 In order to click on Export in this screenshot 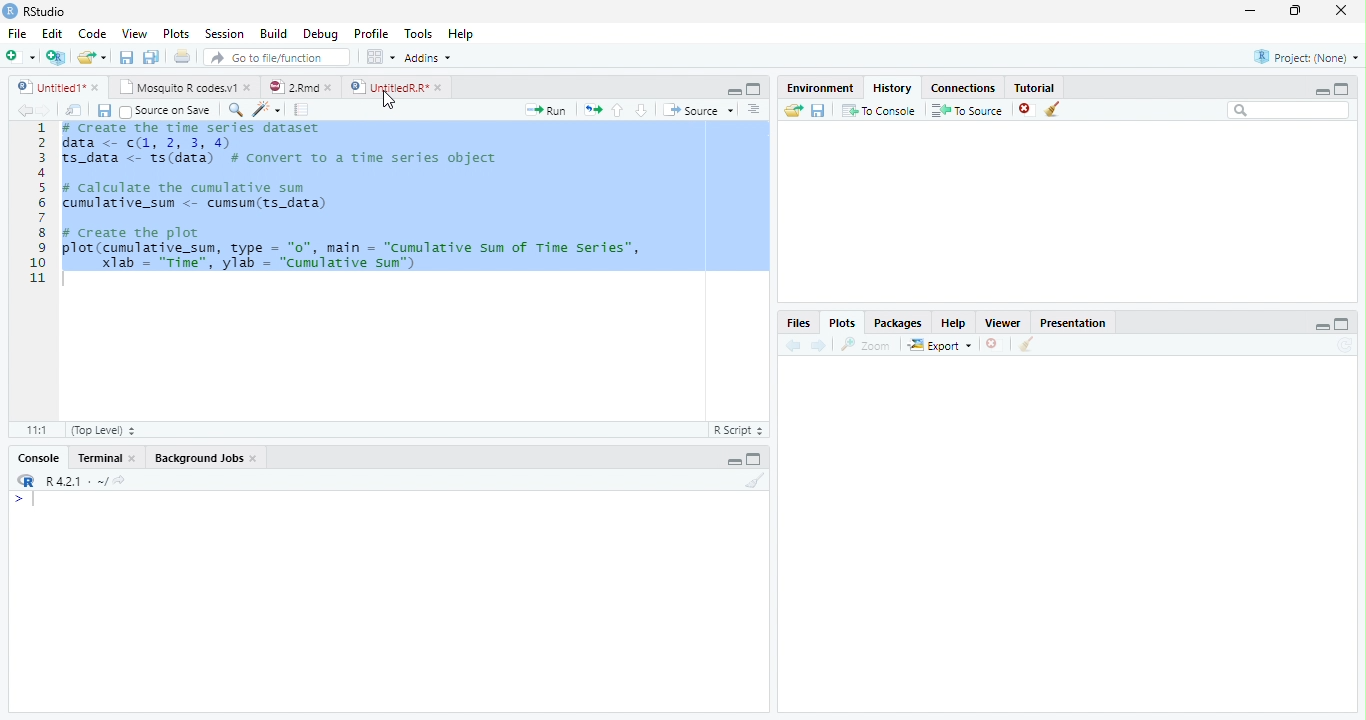, I will do `click(939, 347)`.